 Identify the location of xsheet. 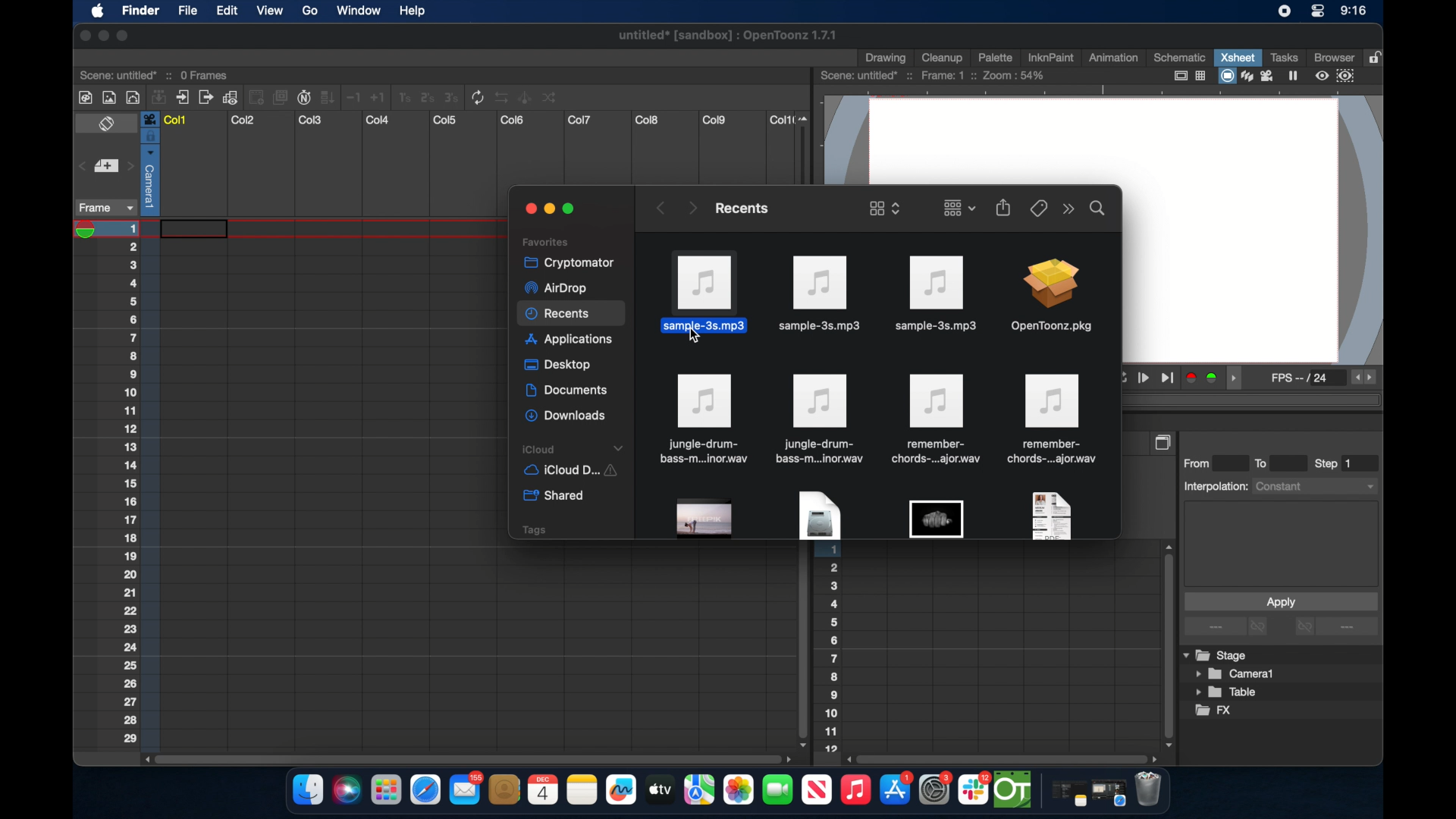
(1238, 57).